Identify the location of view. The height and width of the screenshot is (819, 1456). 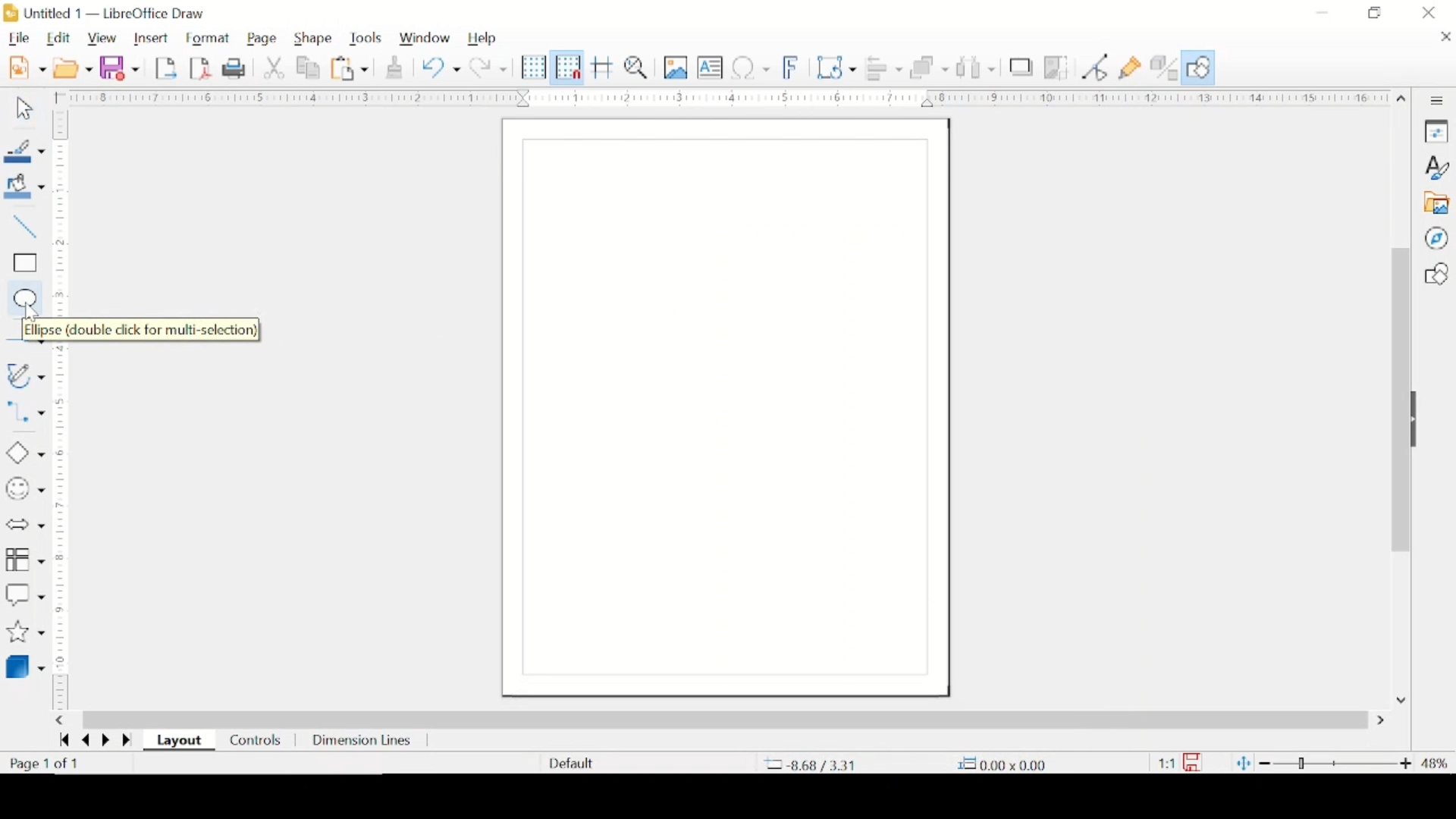
(102, 39).